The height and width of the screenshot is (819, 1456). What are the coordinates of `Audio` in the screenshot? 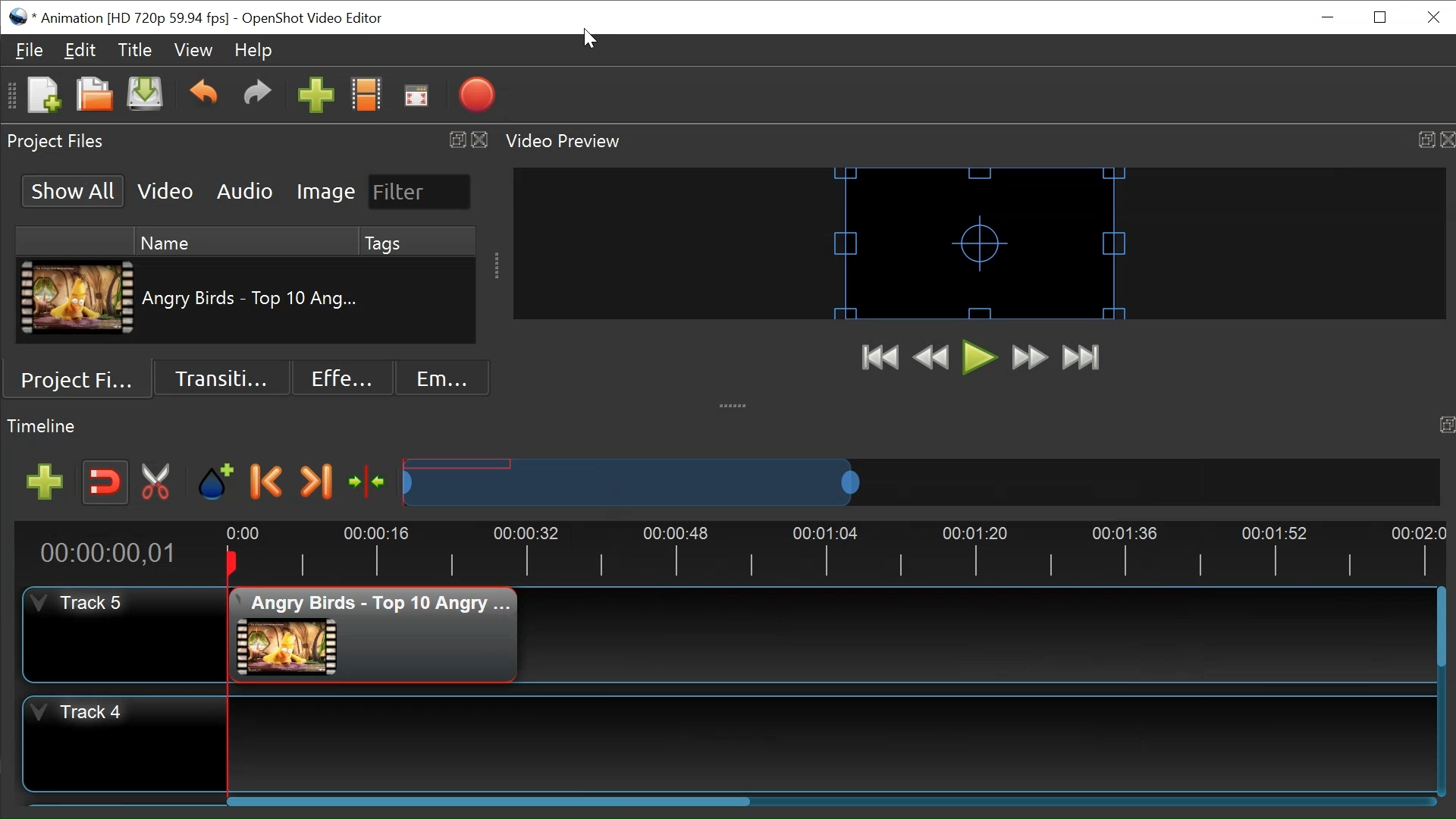 It's located at (243, 190).